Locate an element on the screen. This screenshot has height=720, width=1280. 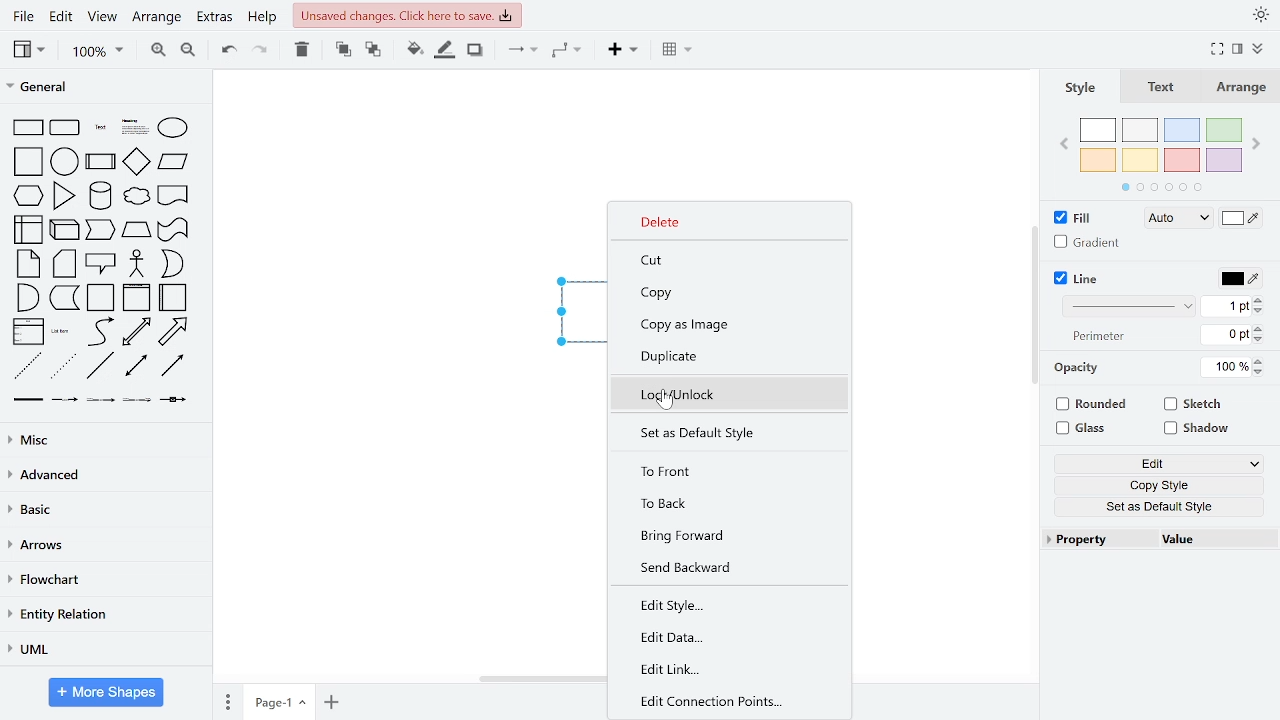
sketch is located at coordinates (1194, 404).